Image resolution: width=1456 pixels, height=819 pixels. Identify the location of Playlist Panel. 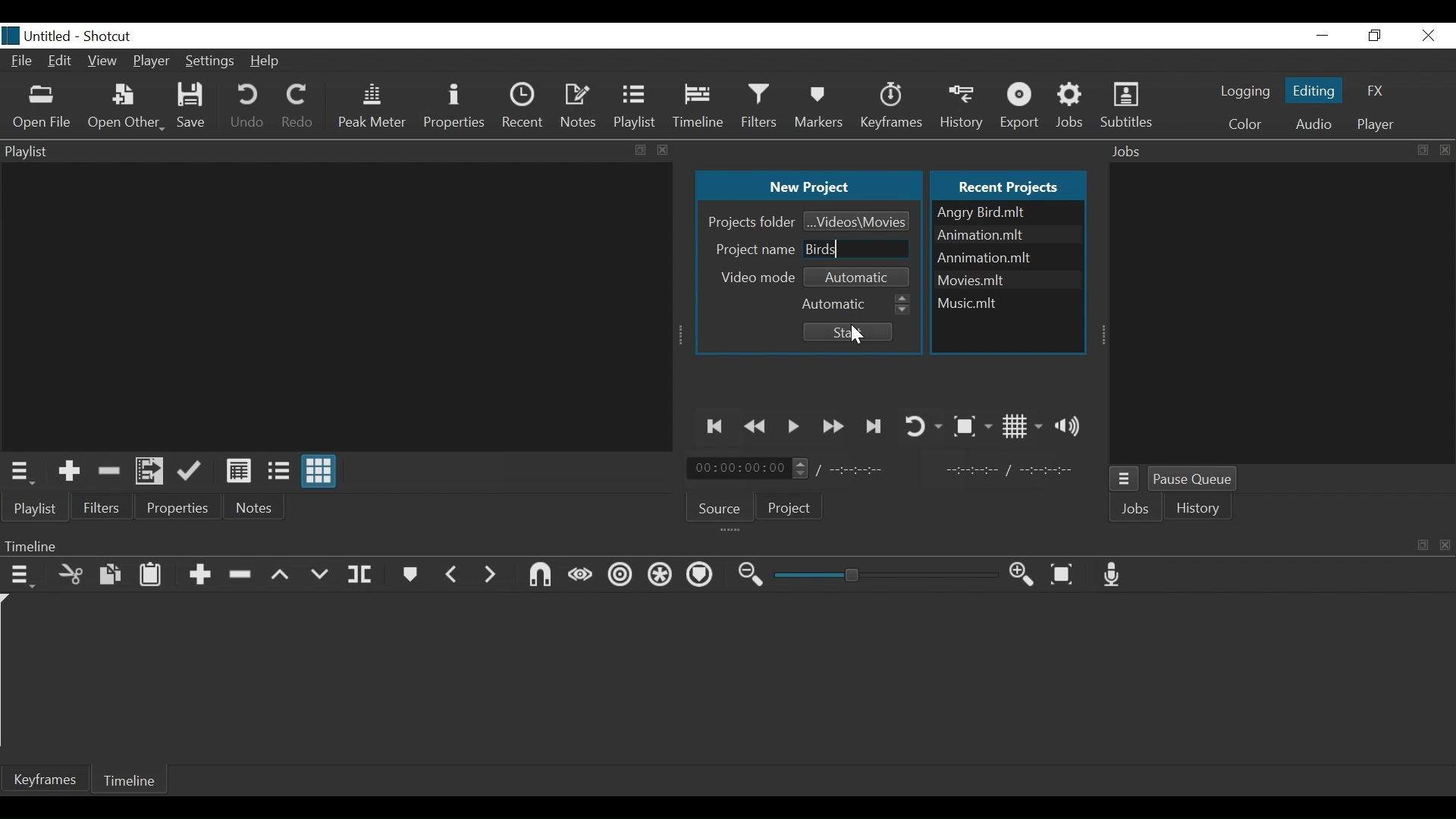
(337, 150).